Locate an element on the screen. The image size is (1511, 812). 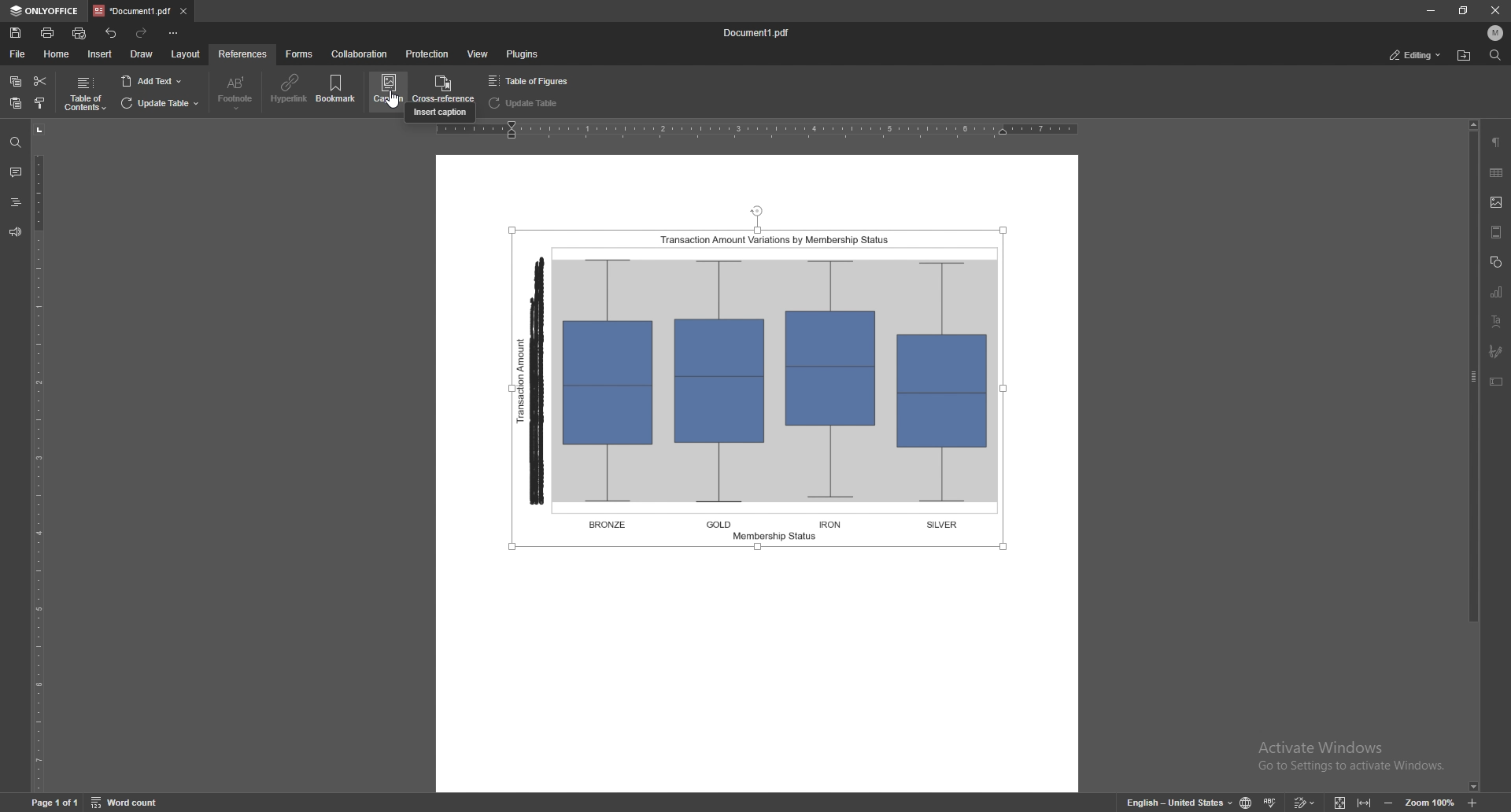
redo is located at coordinates (142, 34).